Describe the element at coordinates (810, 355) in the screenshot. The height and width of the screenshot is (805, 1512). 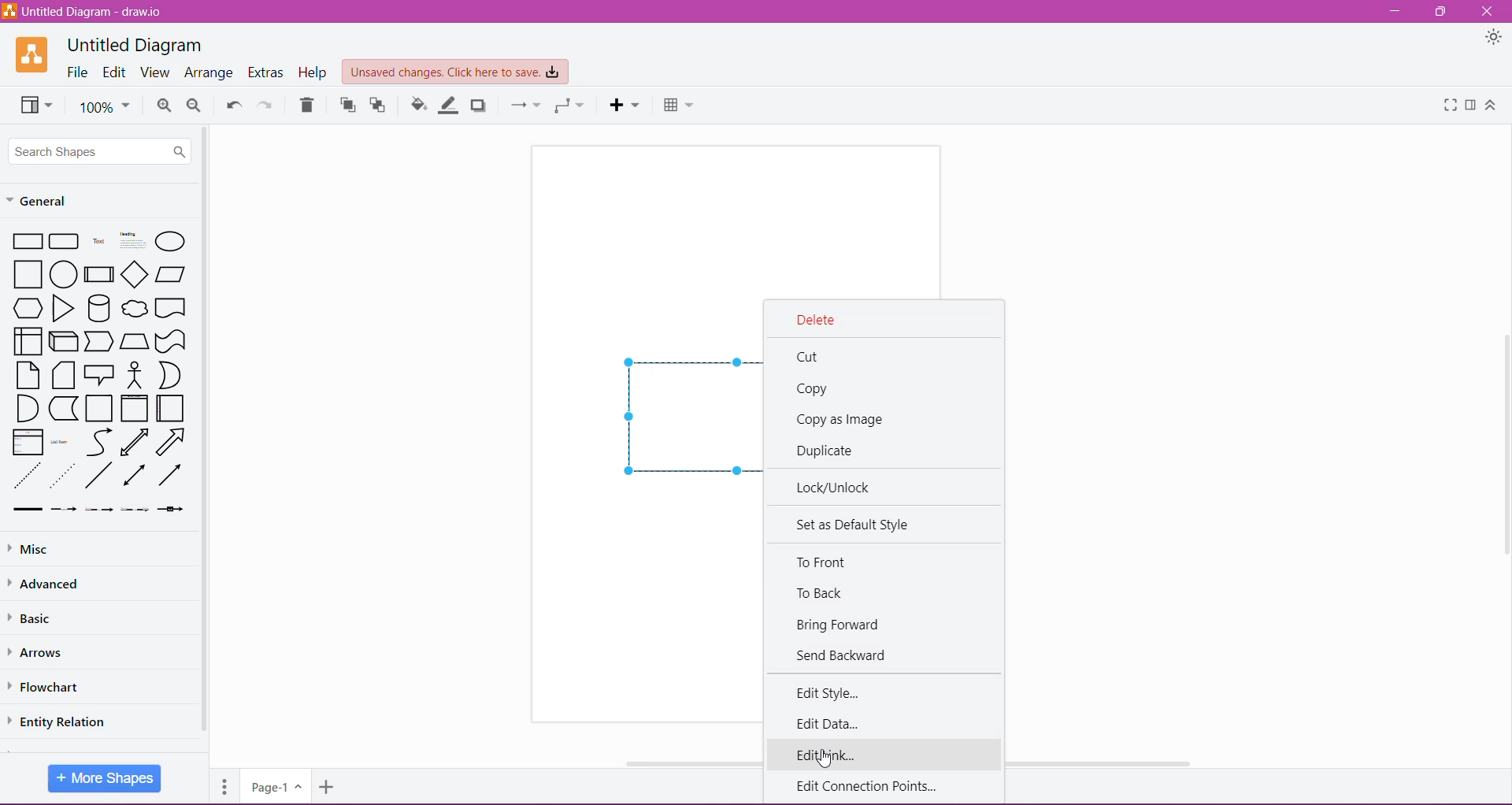
I see `Cut` at that location.